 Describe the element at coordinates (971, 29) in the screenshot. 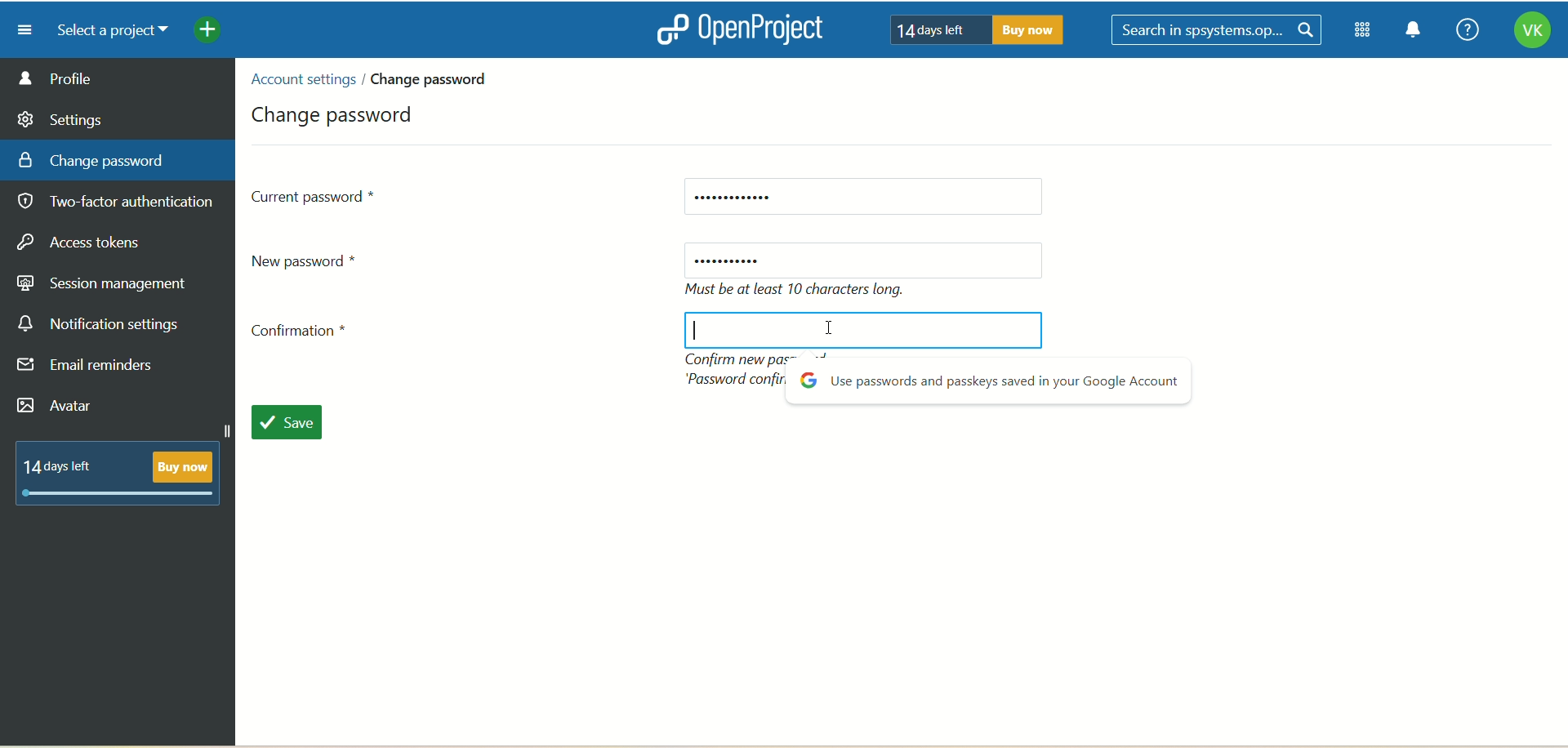

I see `text` at that location.